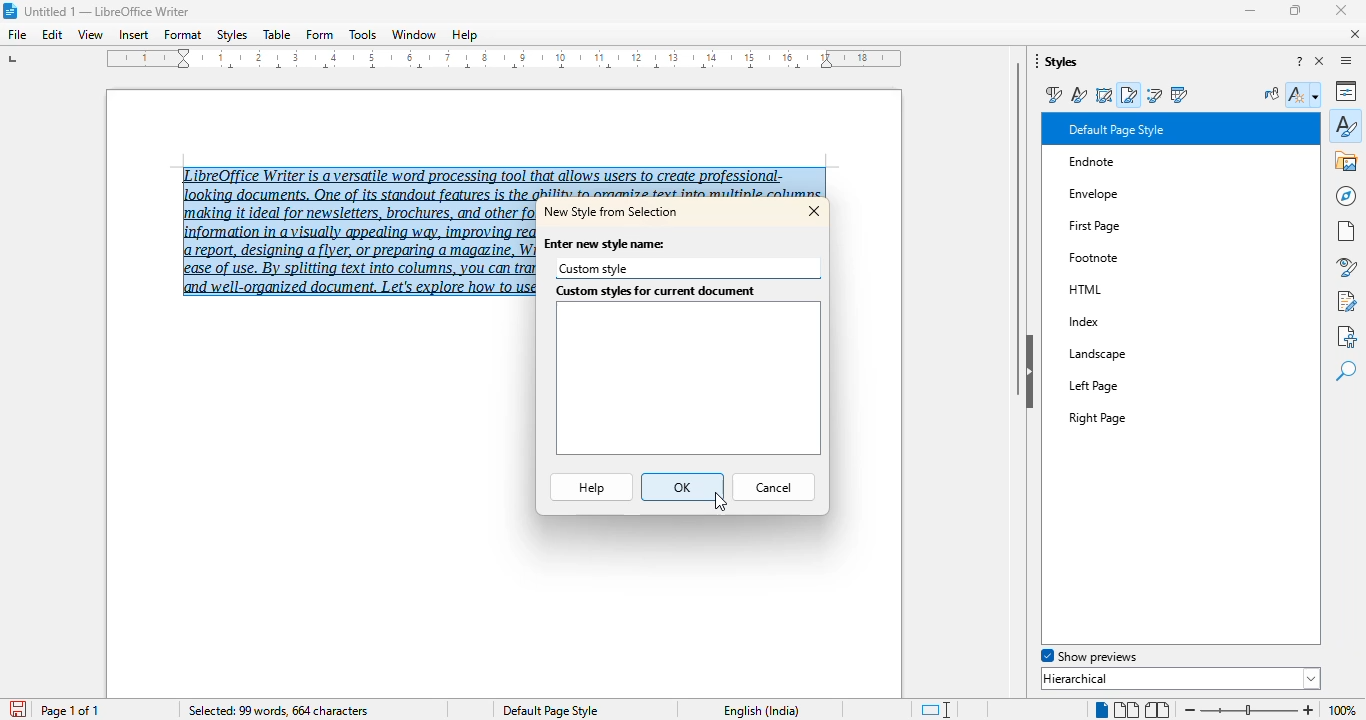 The image size is (1366, 720). What do you see at coordinates (591, 487) in the screenshot?
I see `help` at bounding box center [591, 487].